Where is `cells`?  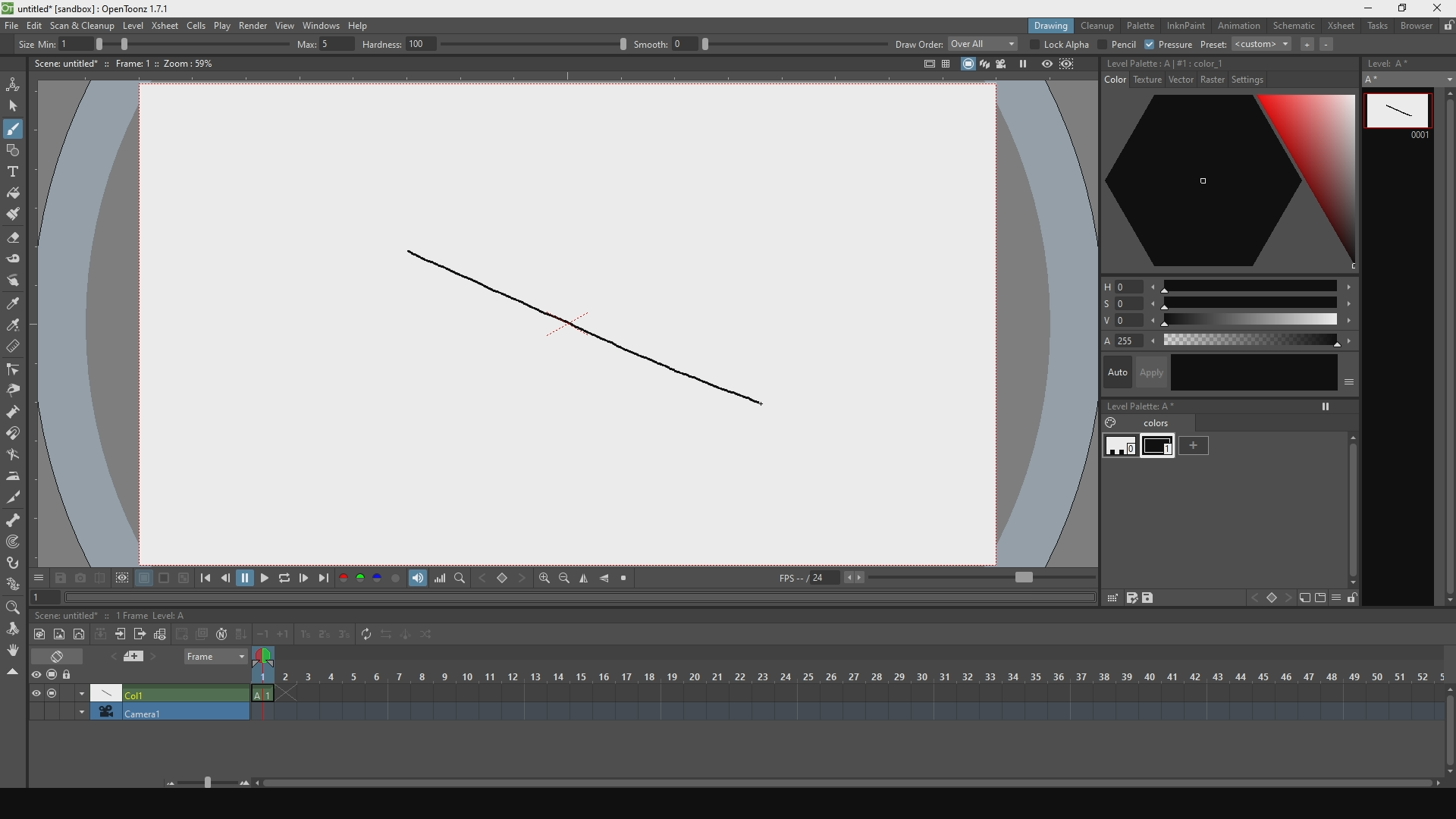 cells is located at coordinates (196, 26).